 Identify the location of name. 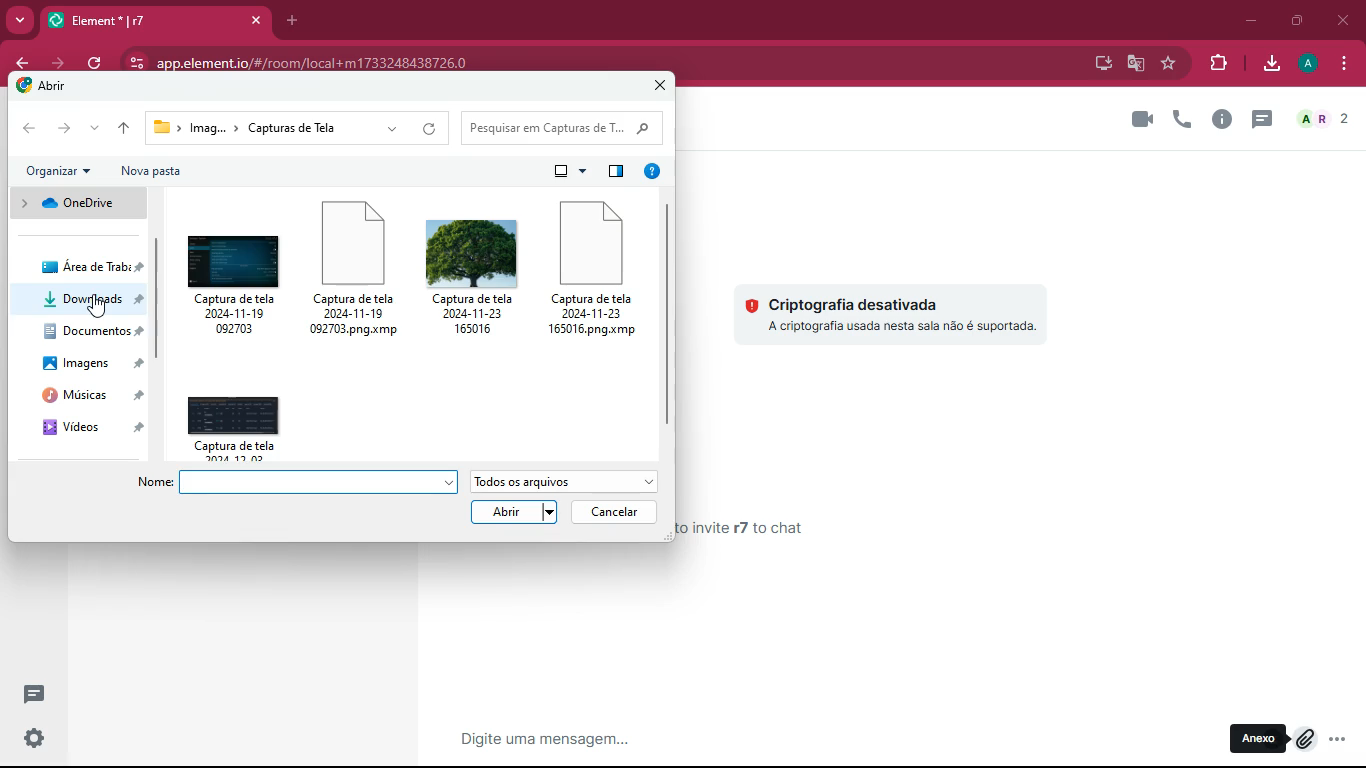
(299, 483).